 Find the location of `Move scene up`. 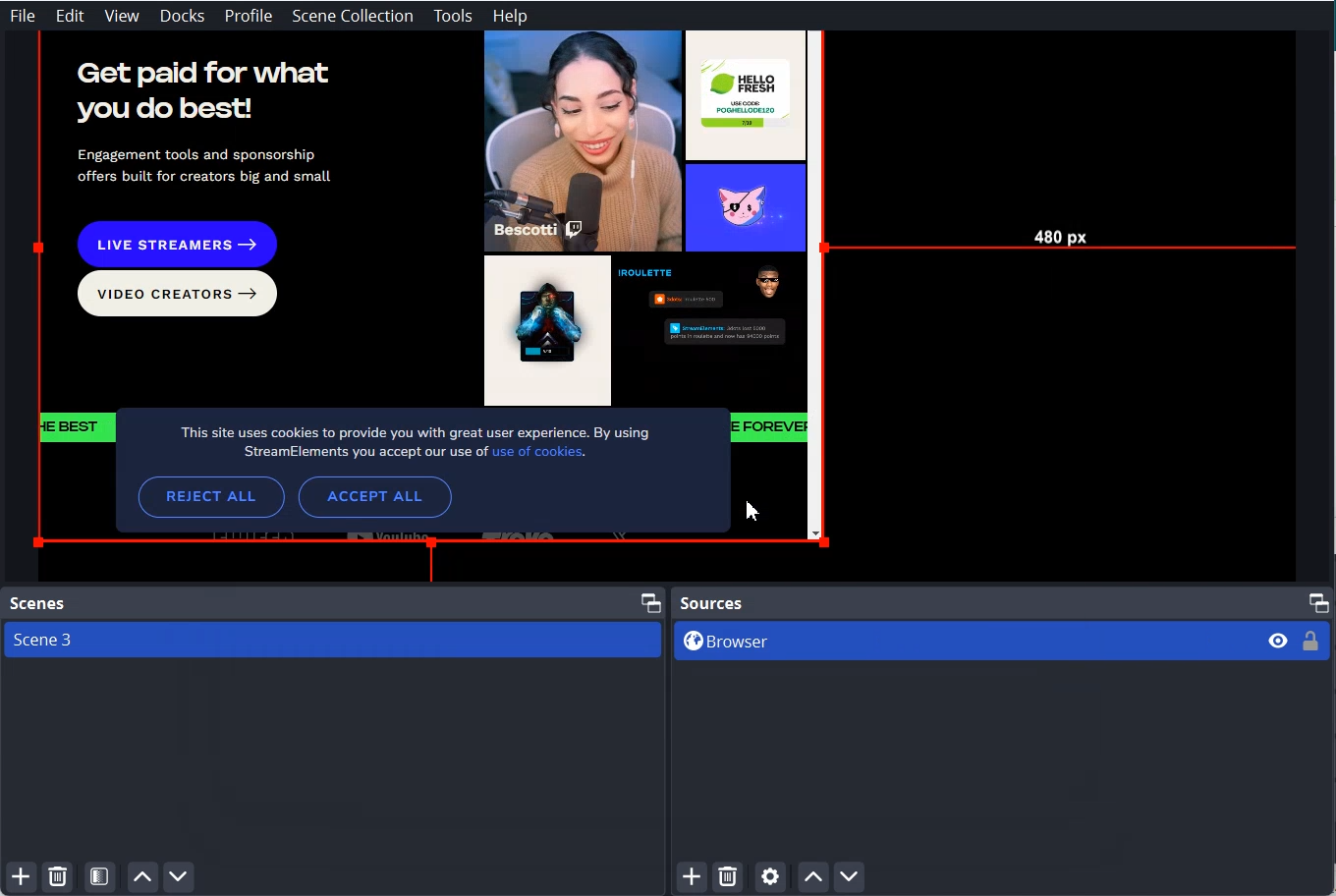

Move scene up is located at coordinates (141, 877).